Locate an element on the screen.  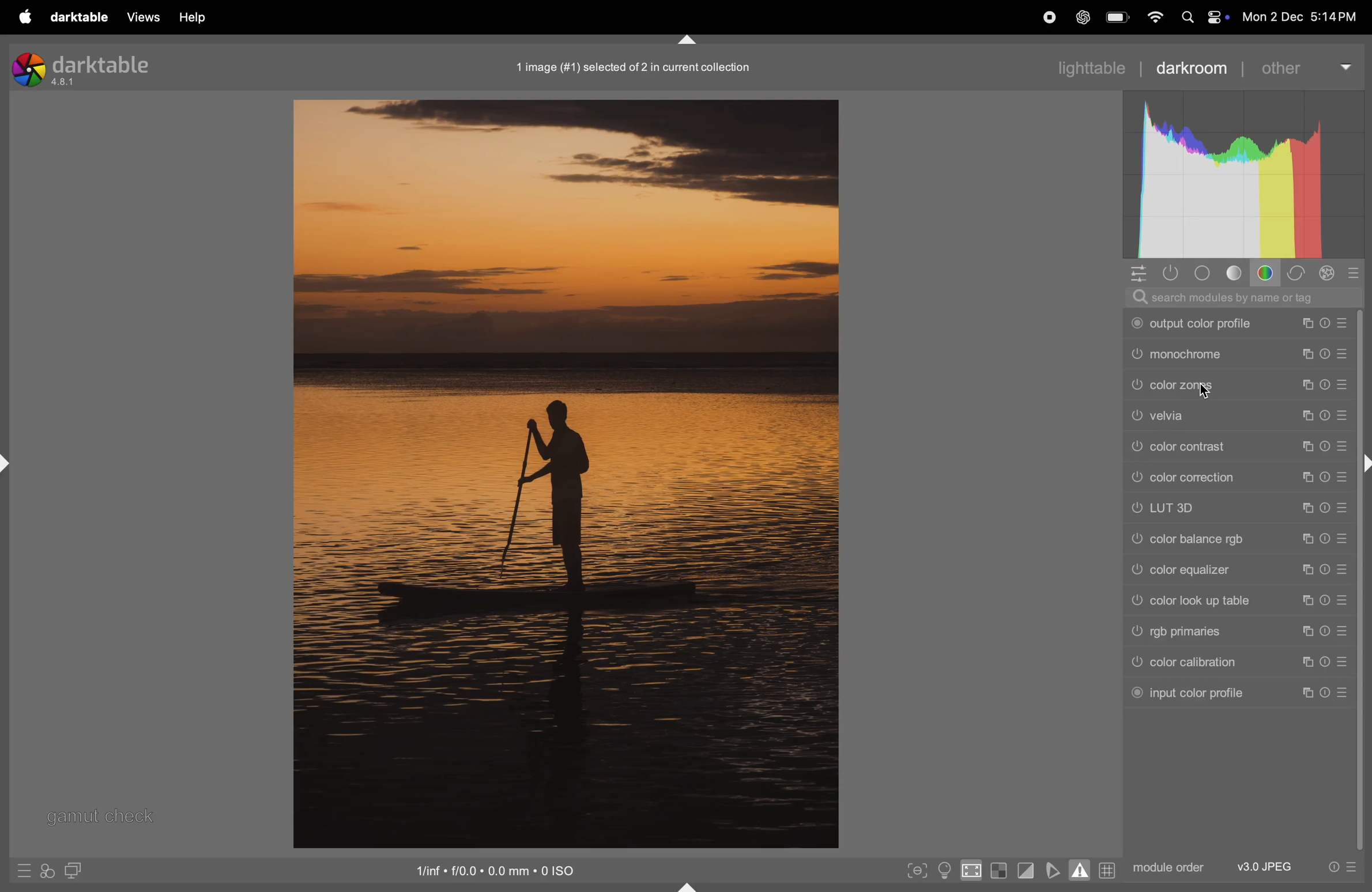
base is located at coordinates (1205, 272).